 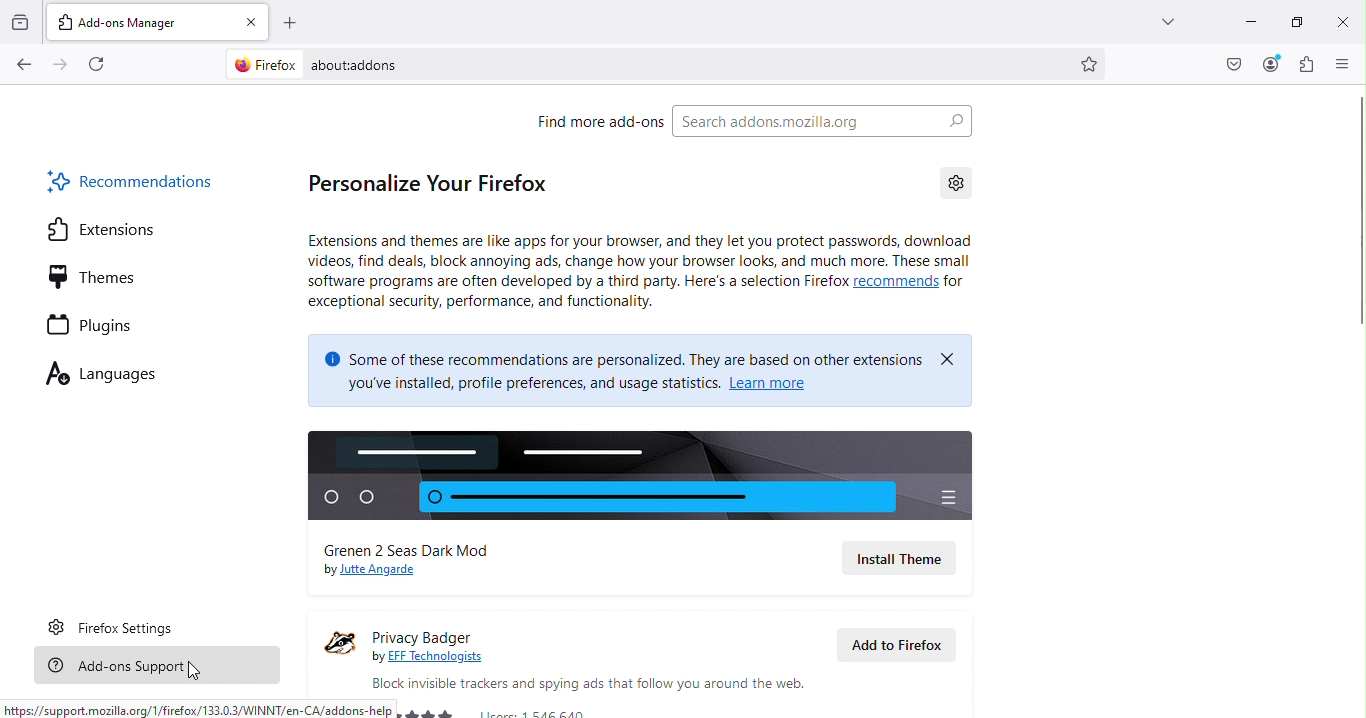 I want to click on Recommendations, so click(x=125, y=179).